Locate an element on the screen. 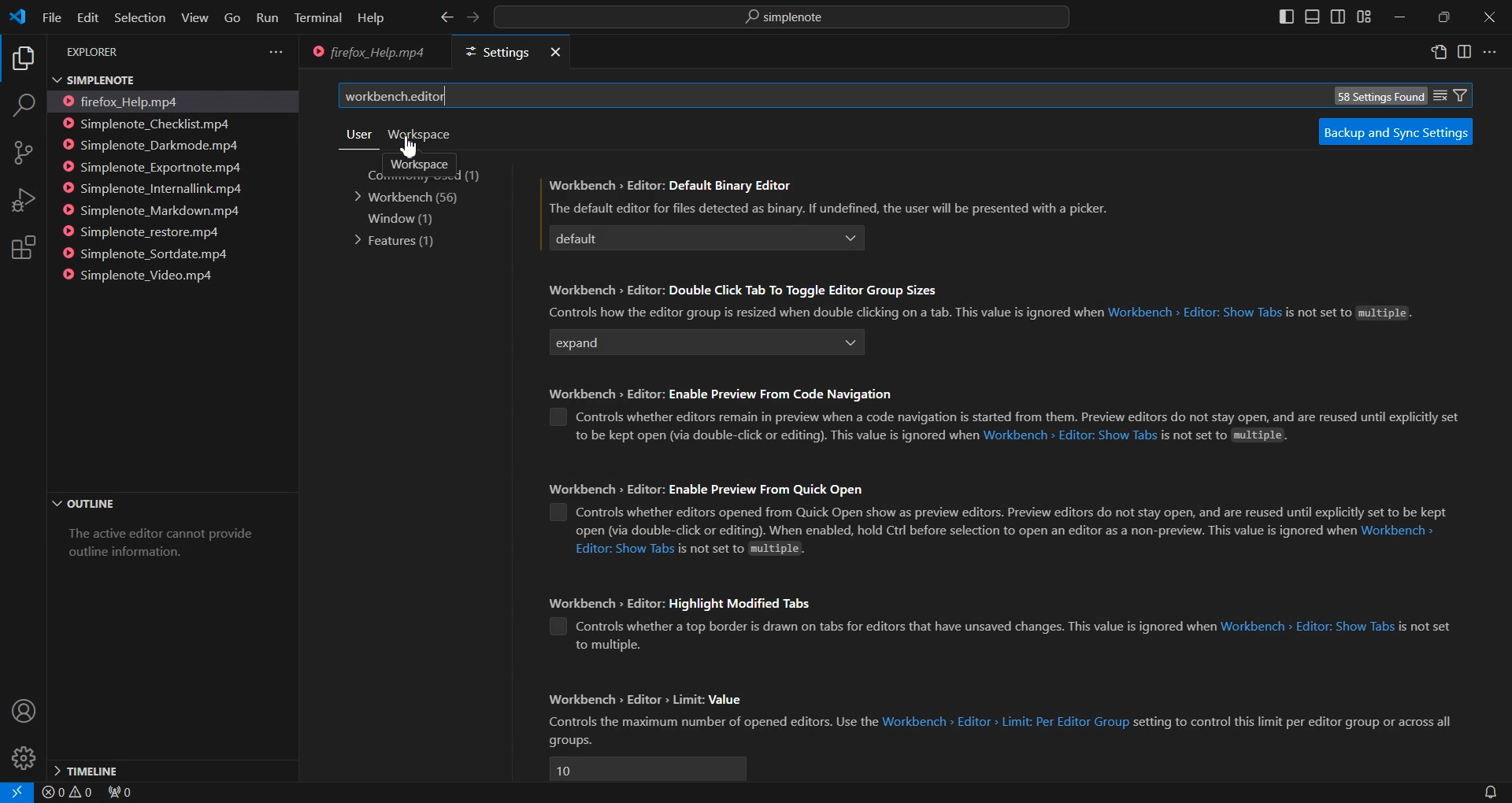  Simplenote_Darkmode.mp4 is located at coordinates (153, 145).